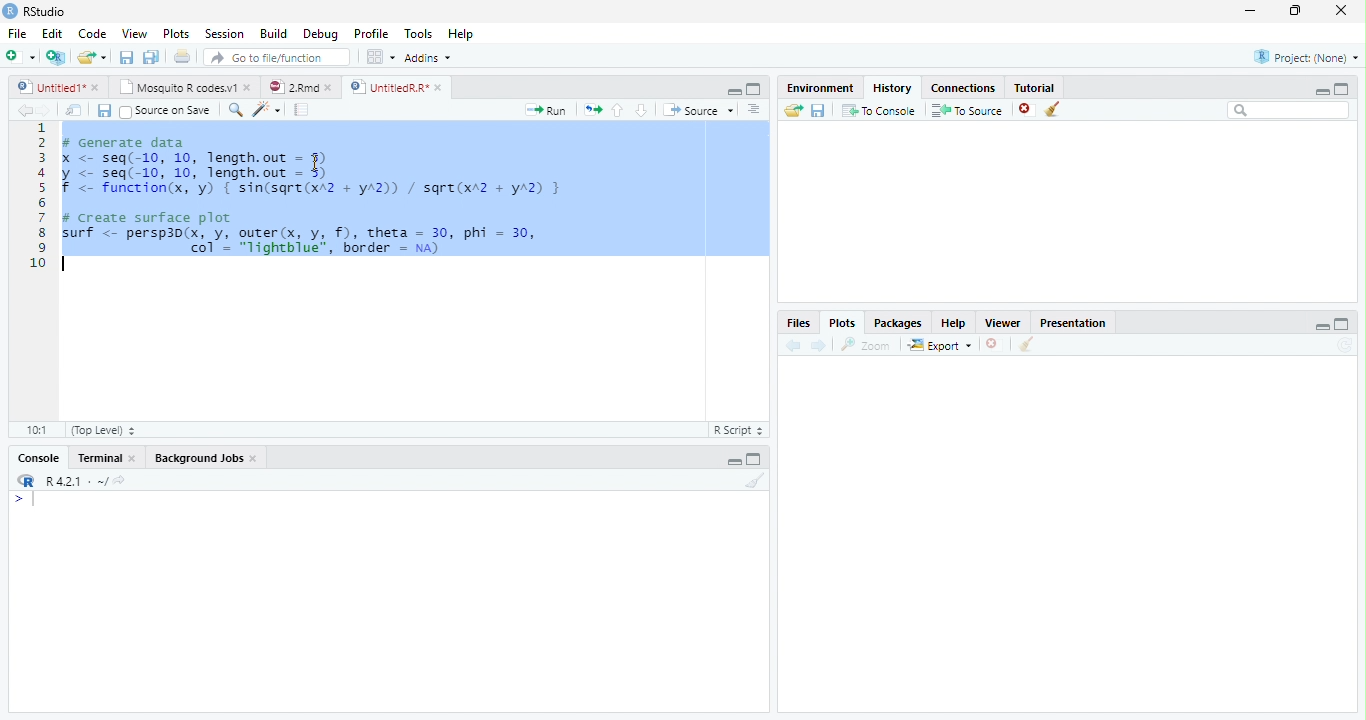 This screenshot has height=720, width=1366. Describe the element at coordinates (756, 480) in the screenshot. I see `Clear console` at that location.